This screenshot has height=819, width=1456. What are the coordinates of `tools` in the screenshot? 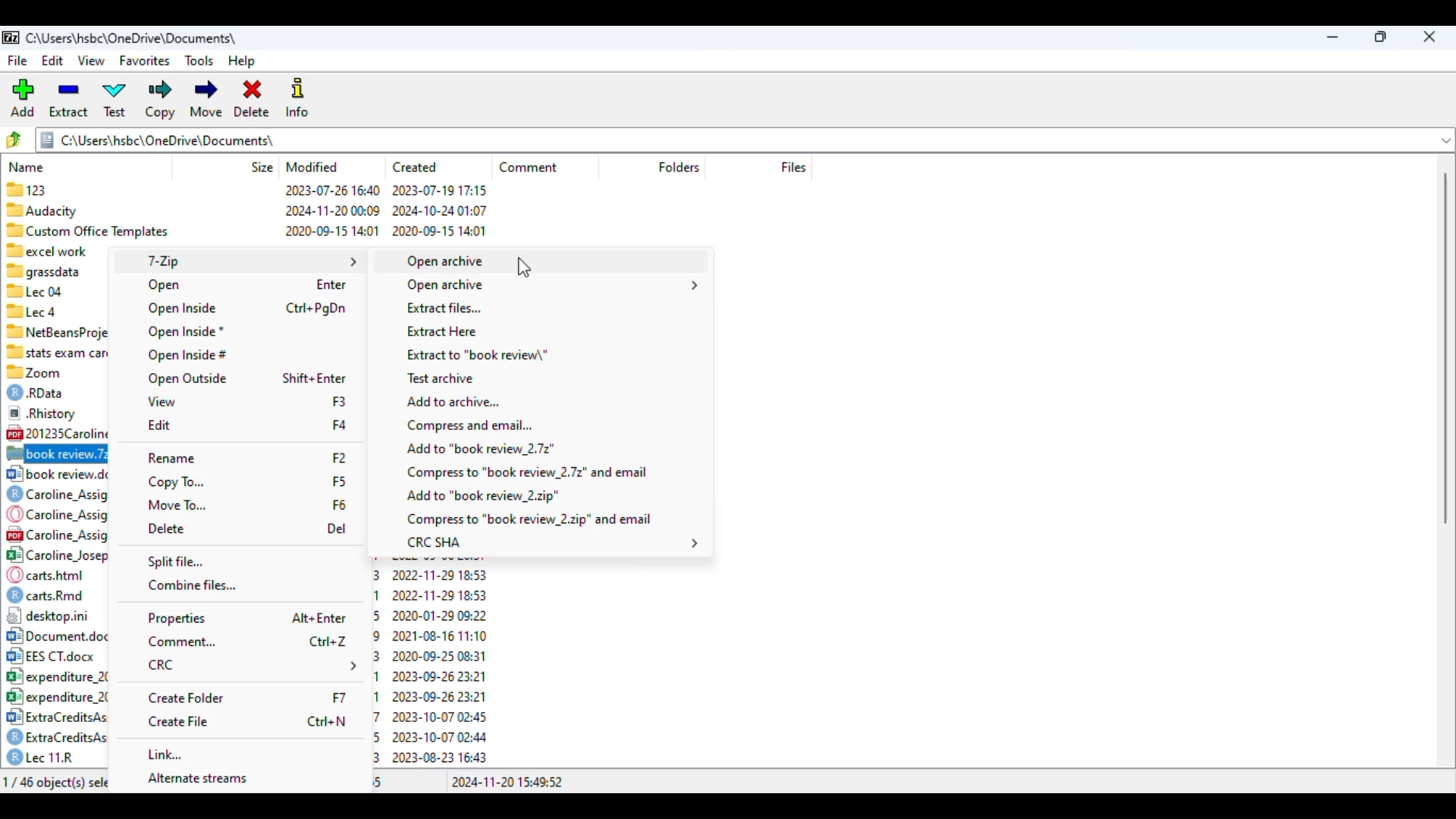 It's located at (199, 62).